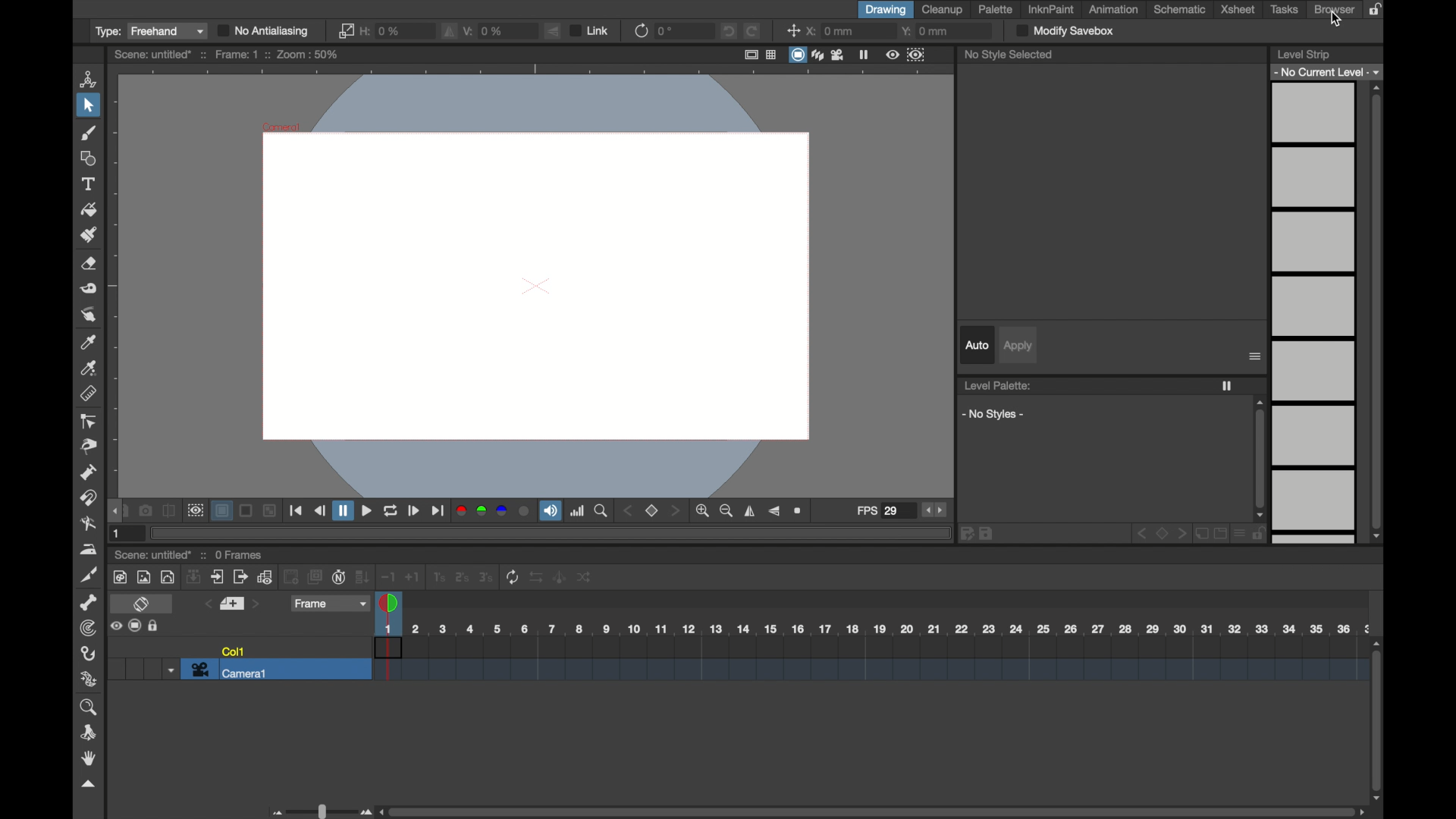 Image resolution: width=1456 pixels, height=819 pixels. What do you see at coordinates (384, 31) in the screenshot?
I see `h` at bounding box center [384, 31].